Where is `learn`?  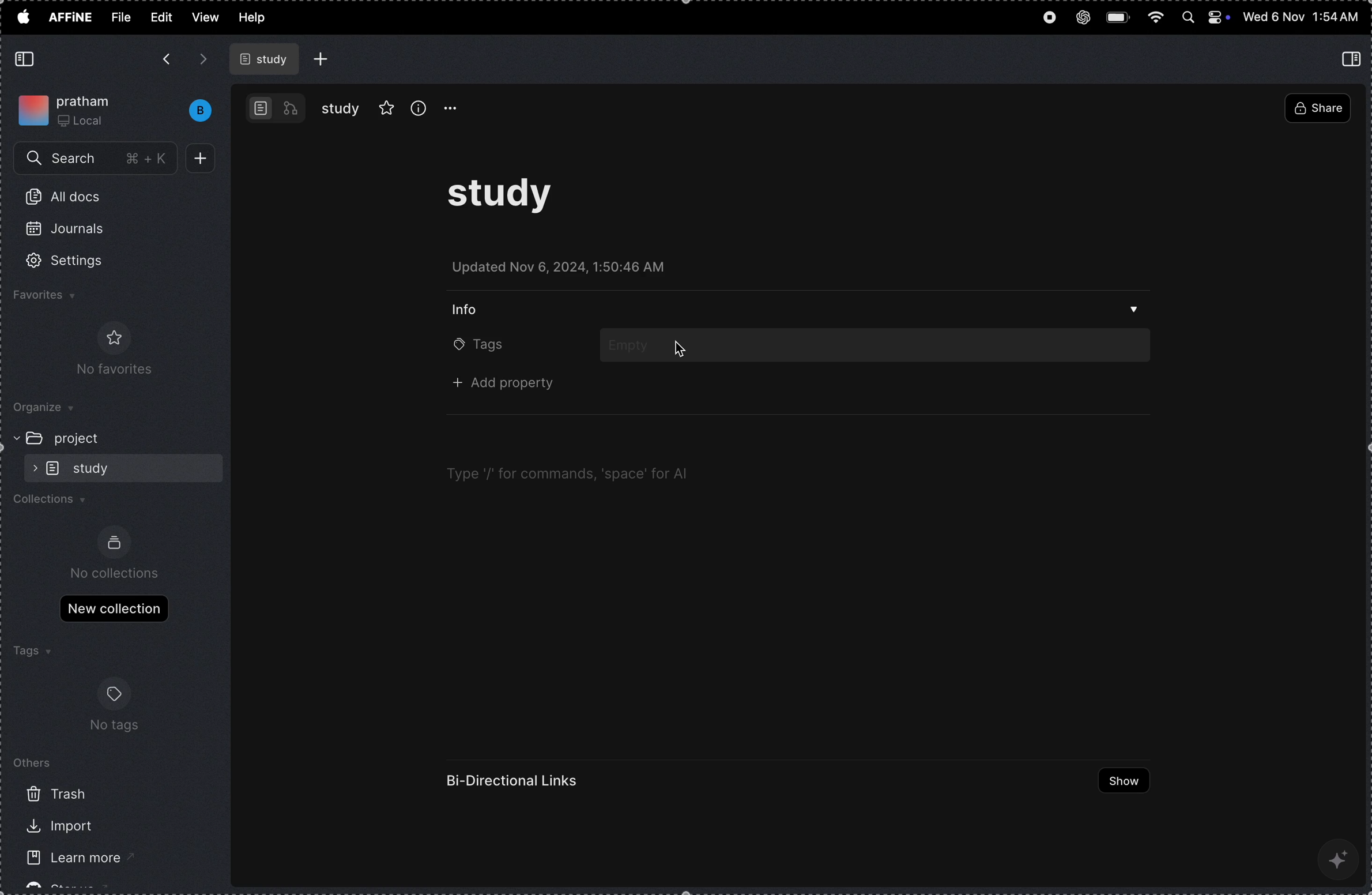 learn is located at coordinates (64, 860).